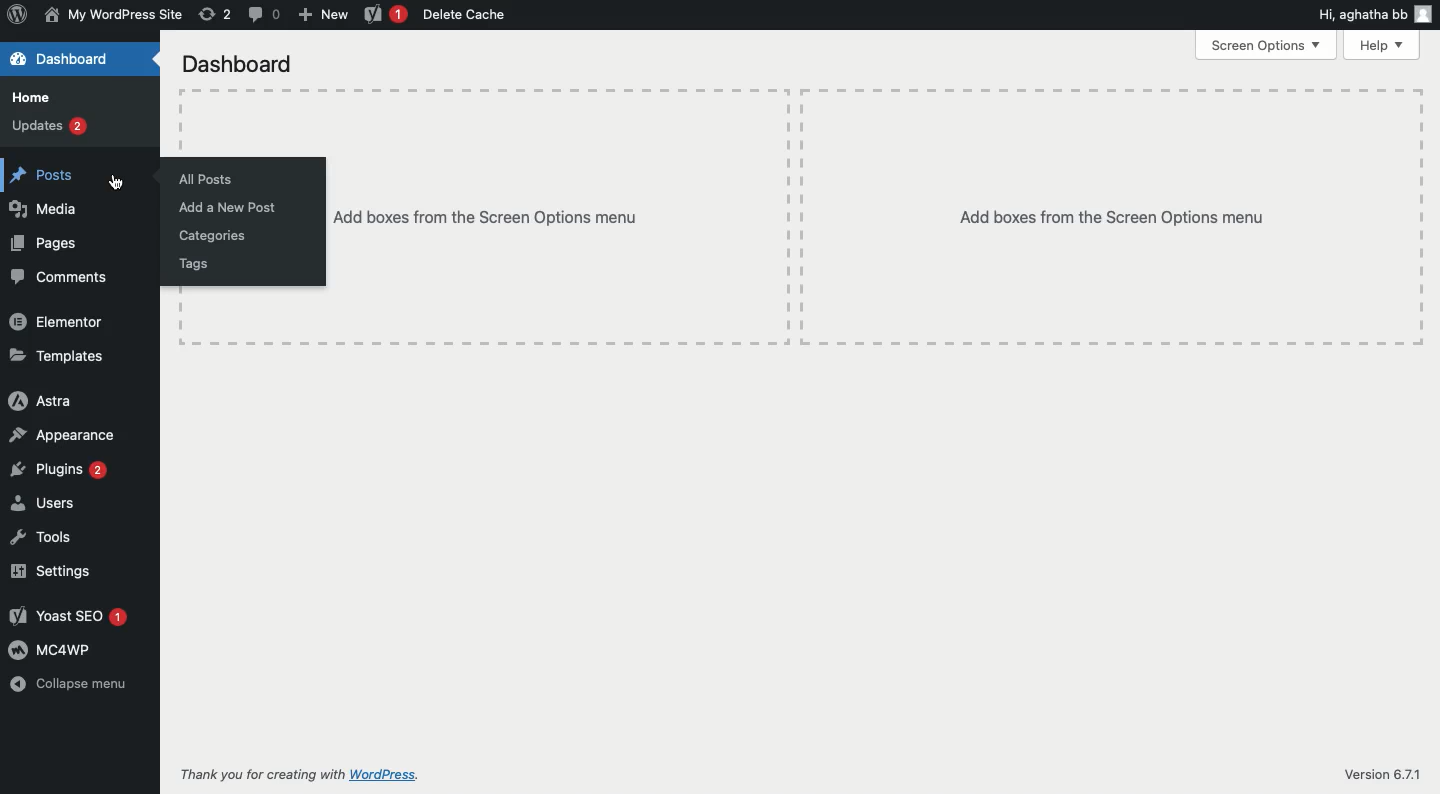 Image resolution: width=1440 pixels, height=794 pixels. What do you see at coordinates (40, 401) in the screenshot?
I see `Astra` at bounding box center [40, 401].